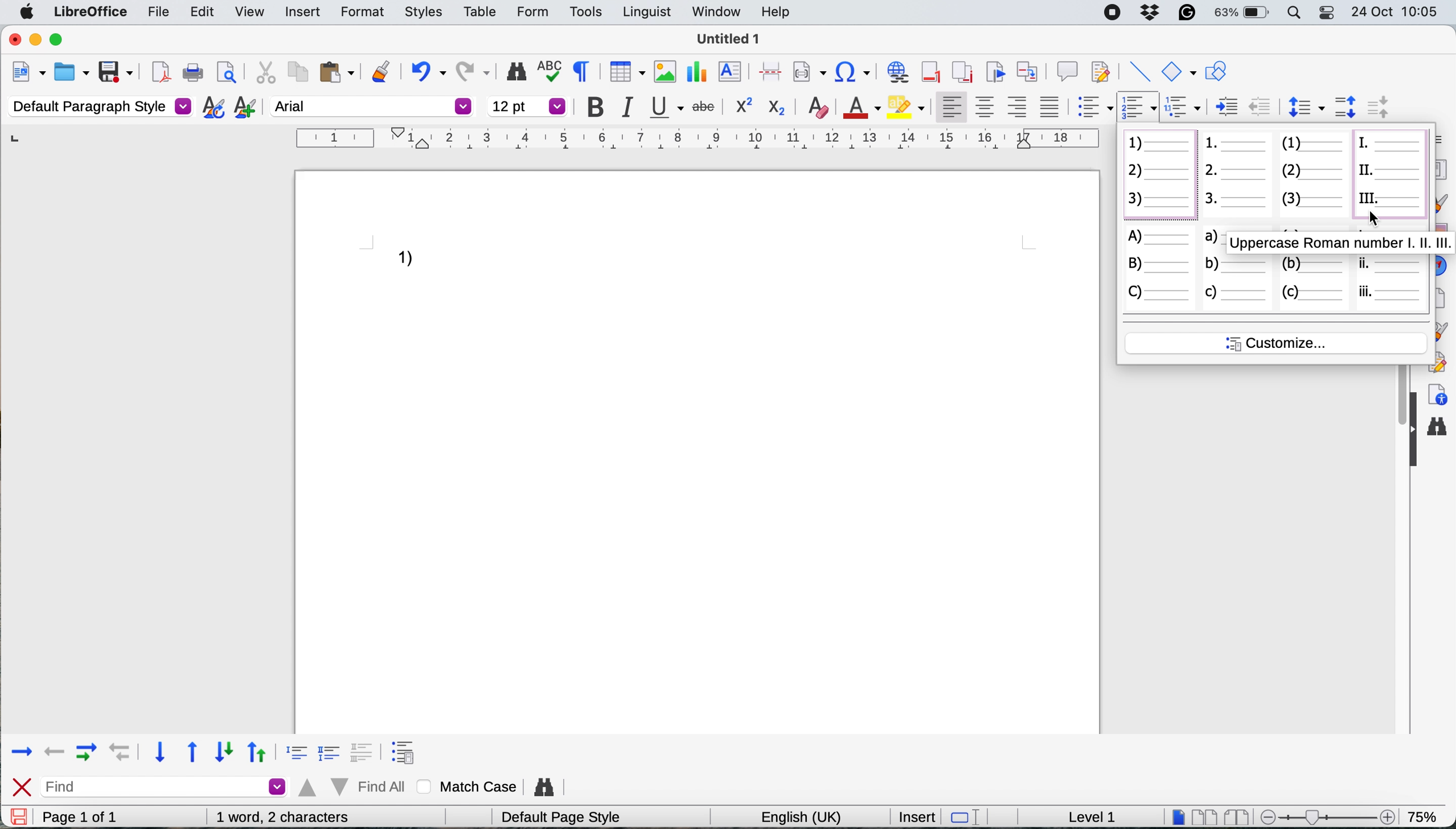 Image resolution: width=1456 pixels, height=829 pixels. What do you see at coordinates (194, 753) in the screenshot?
I see `upward` at bounding box center [194, 753].